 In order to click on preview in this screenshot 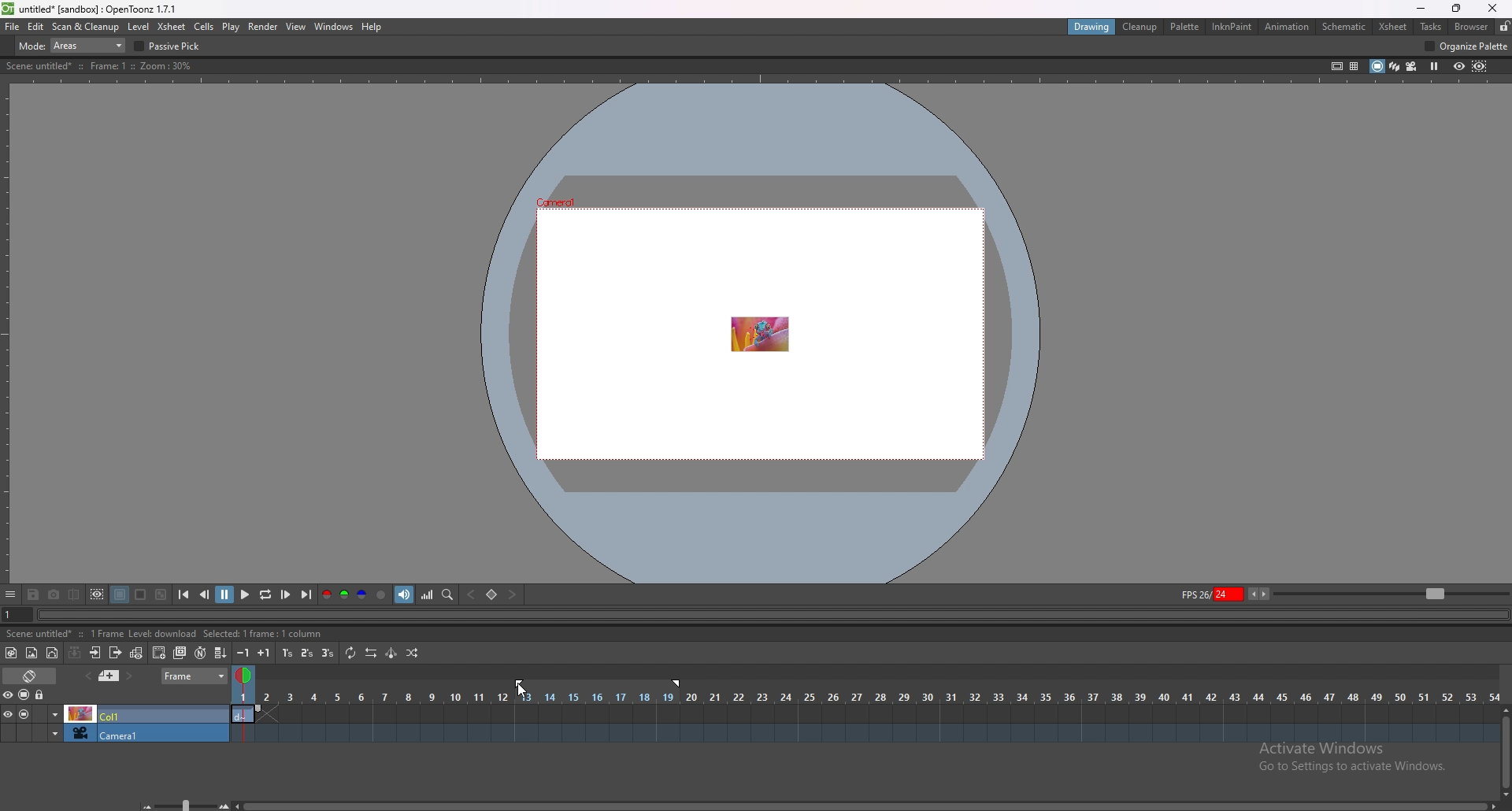, I will do `click(1459, 66)`.